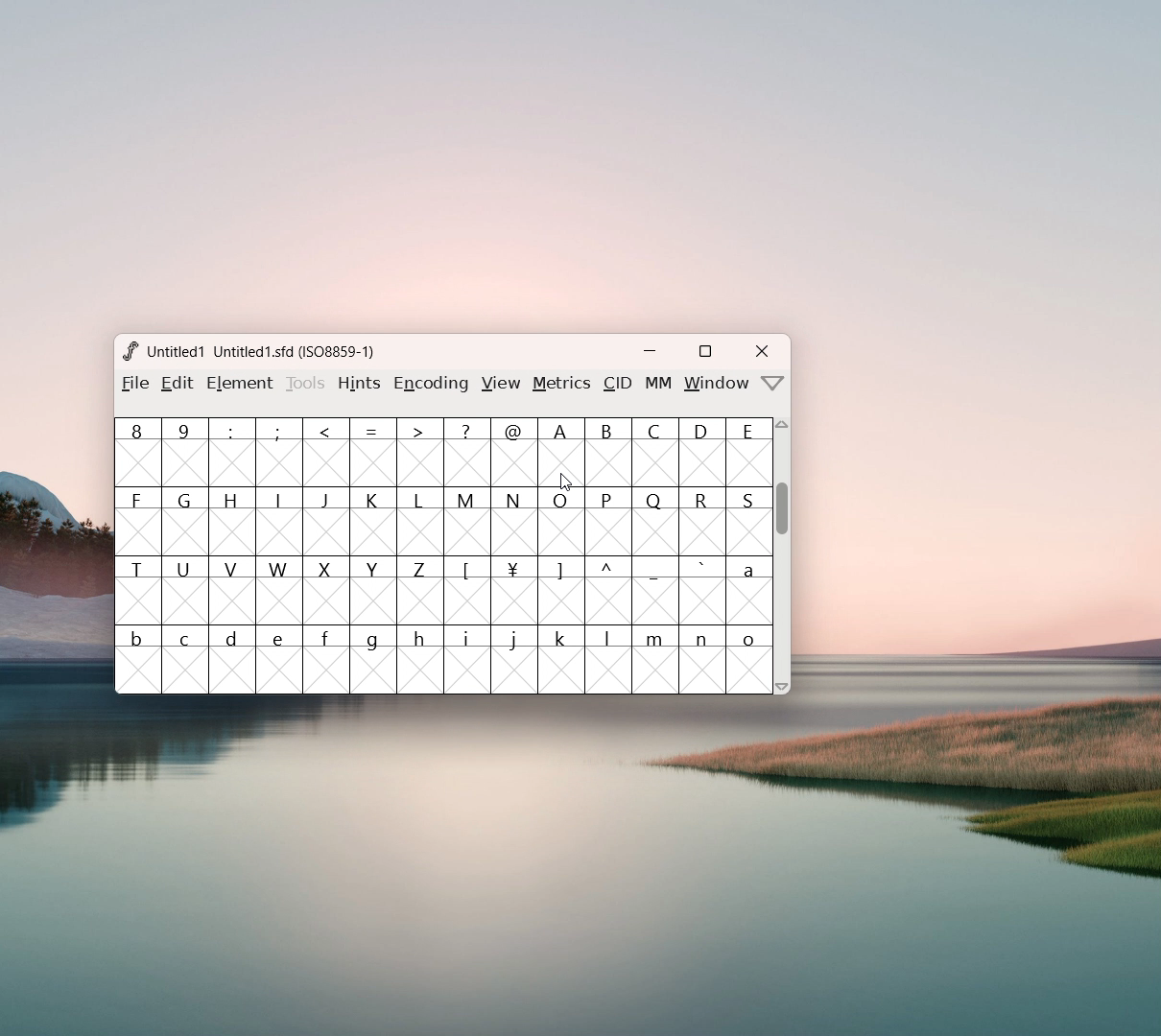  I want to click on =, so click(373, 452).